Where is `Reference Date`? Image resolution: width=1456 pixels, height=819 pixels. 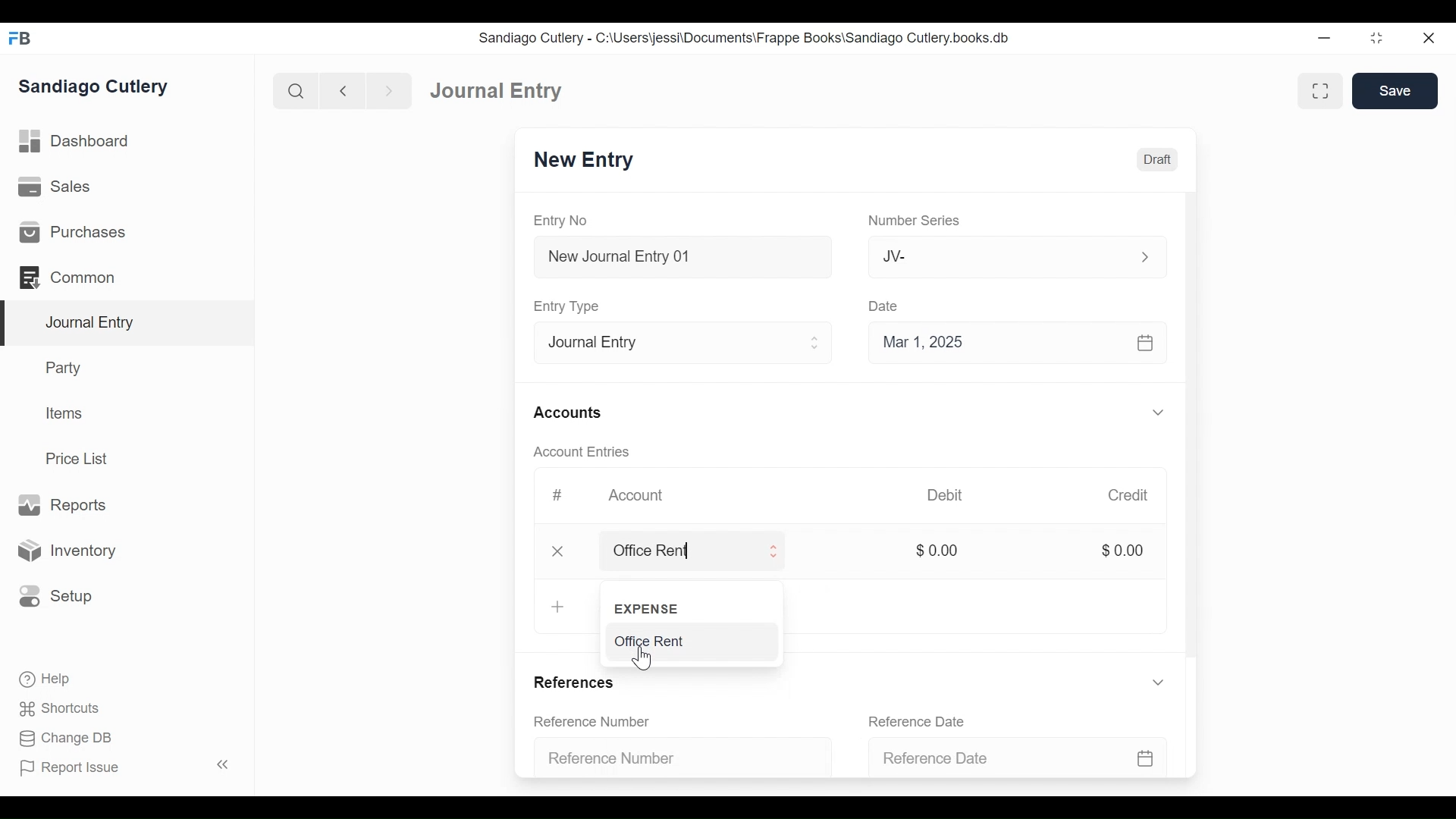
Reference Date is located at coordinates (1031, 758).